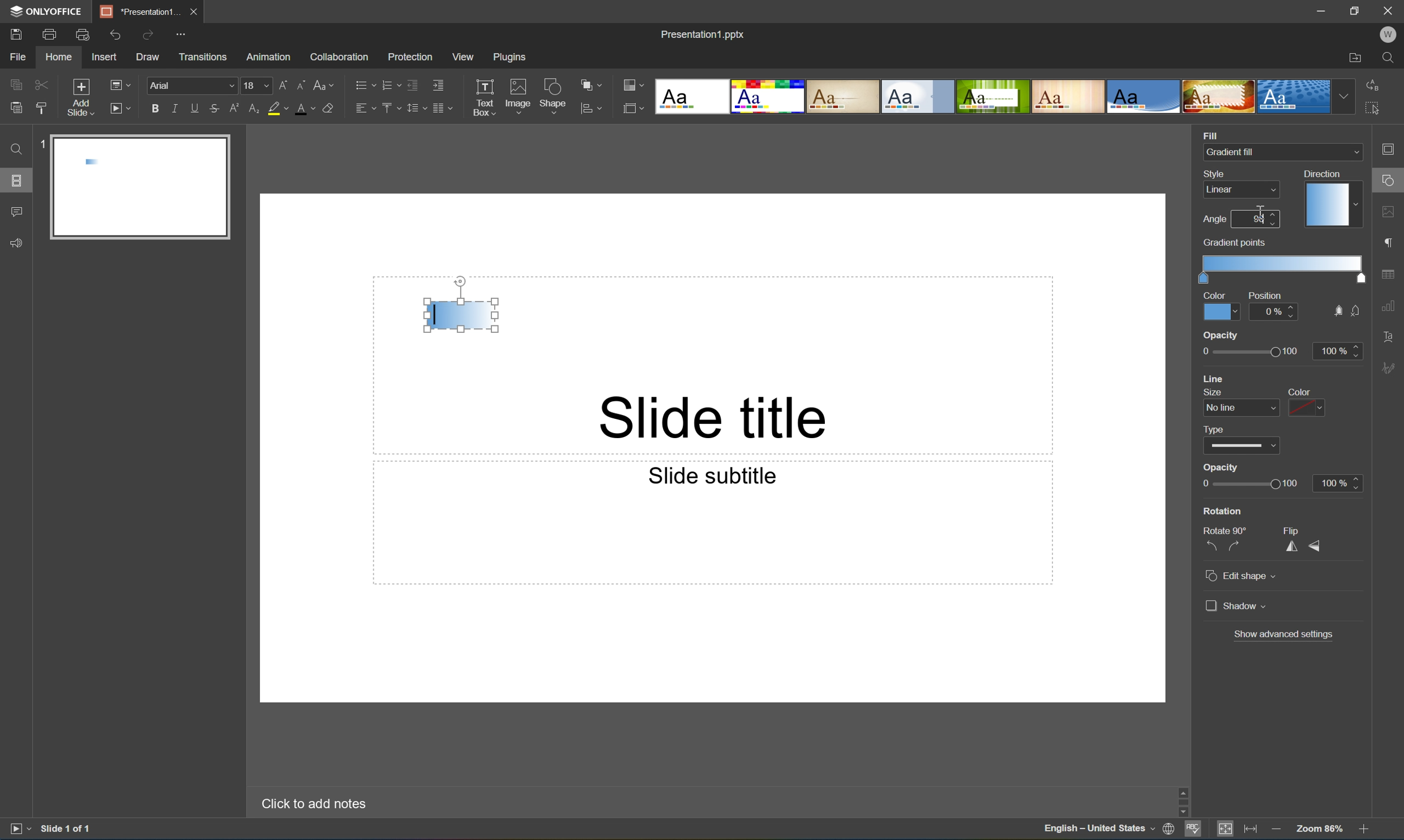 The image size is (1404, 840). I want to click on Flip vertically, so click(1316, 547).